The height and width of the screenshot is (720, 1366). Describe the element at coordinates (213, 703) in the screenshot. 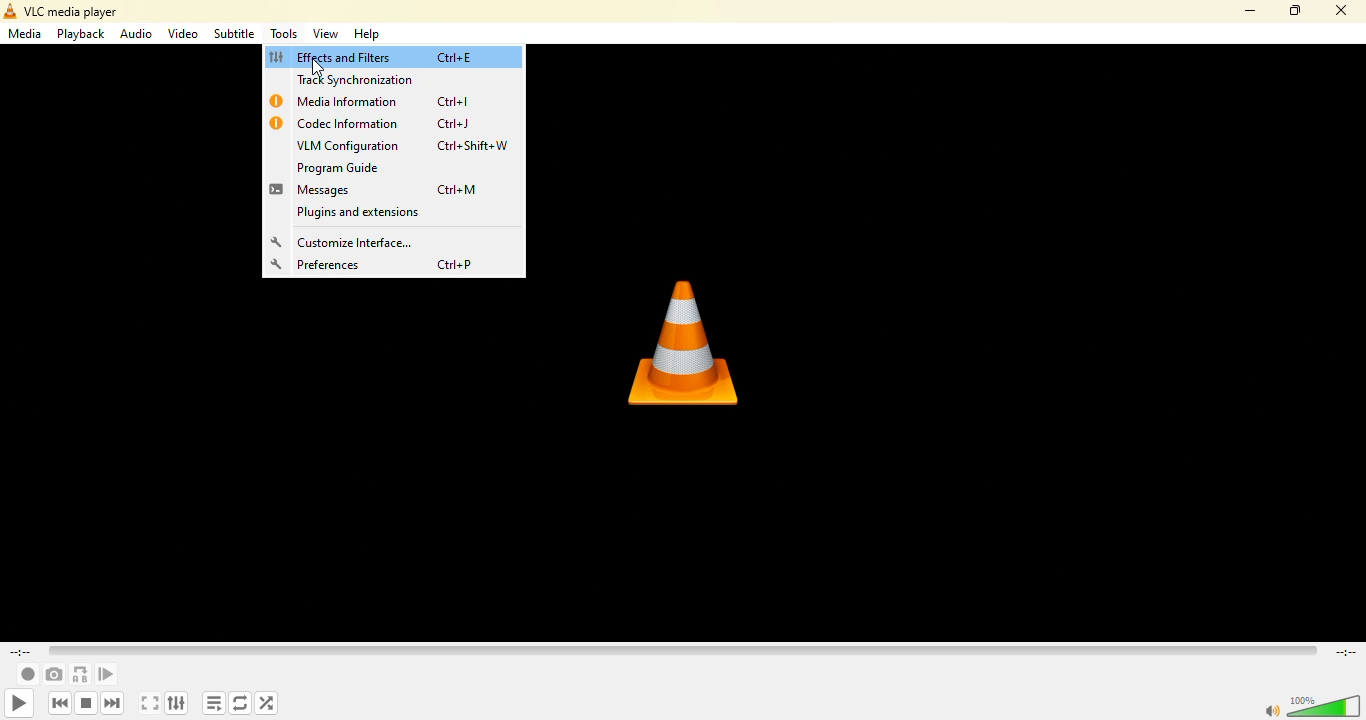

I see `toggle playlist` at that location.